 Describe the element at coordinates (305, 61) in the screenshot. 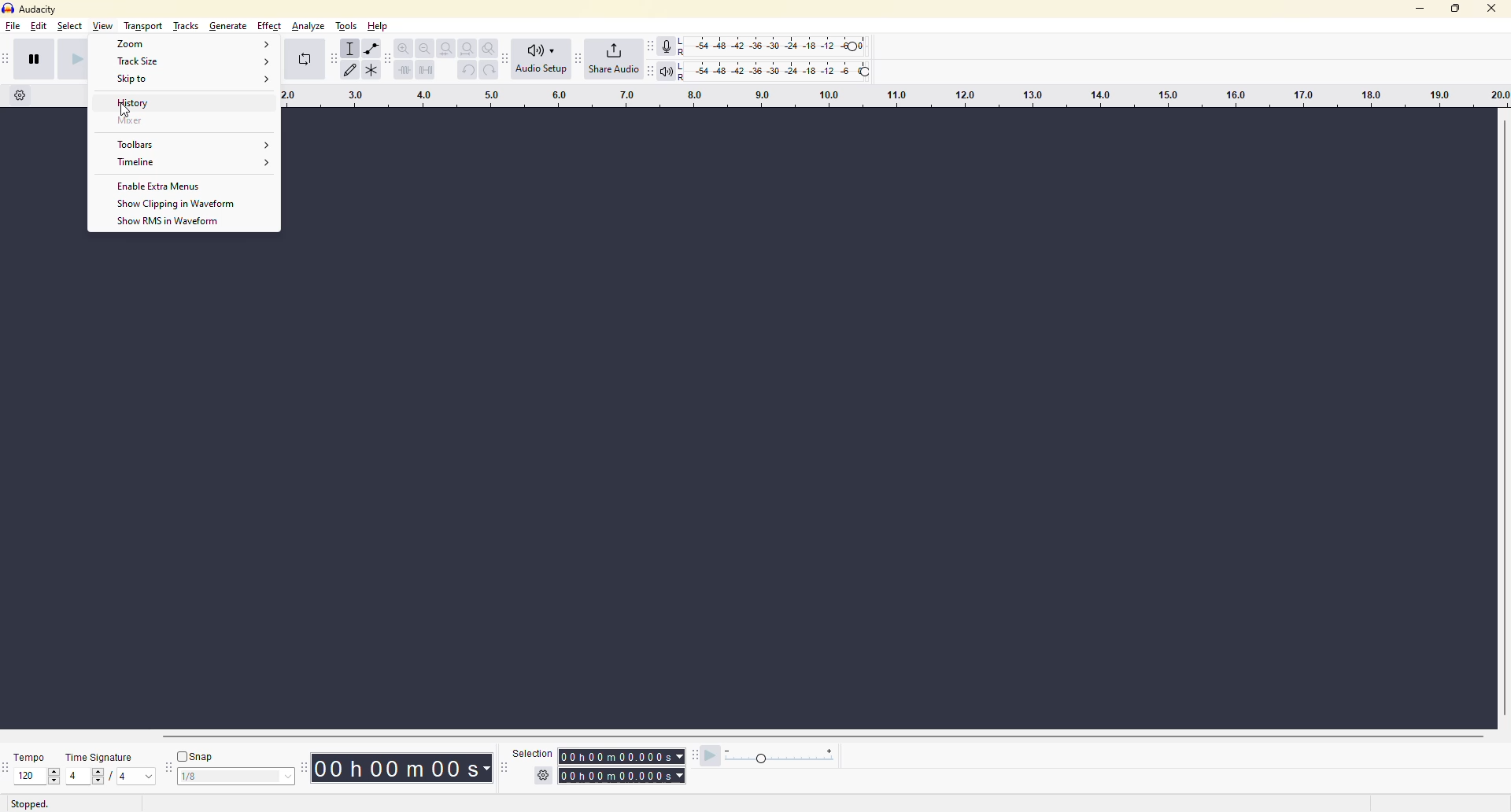

I see `enable looping` at that location.